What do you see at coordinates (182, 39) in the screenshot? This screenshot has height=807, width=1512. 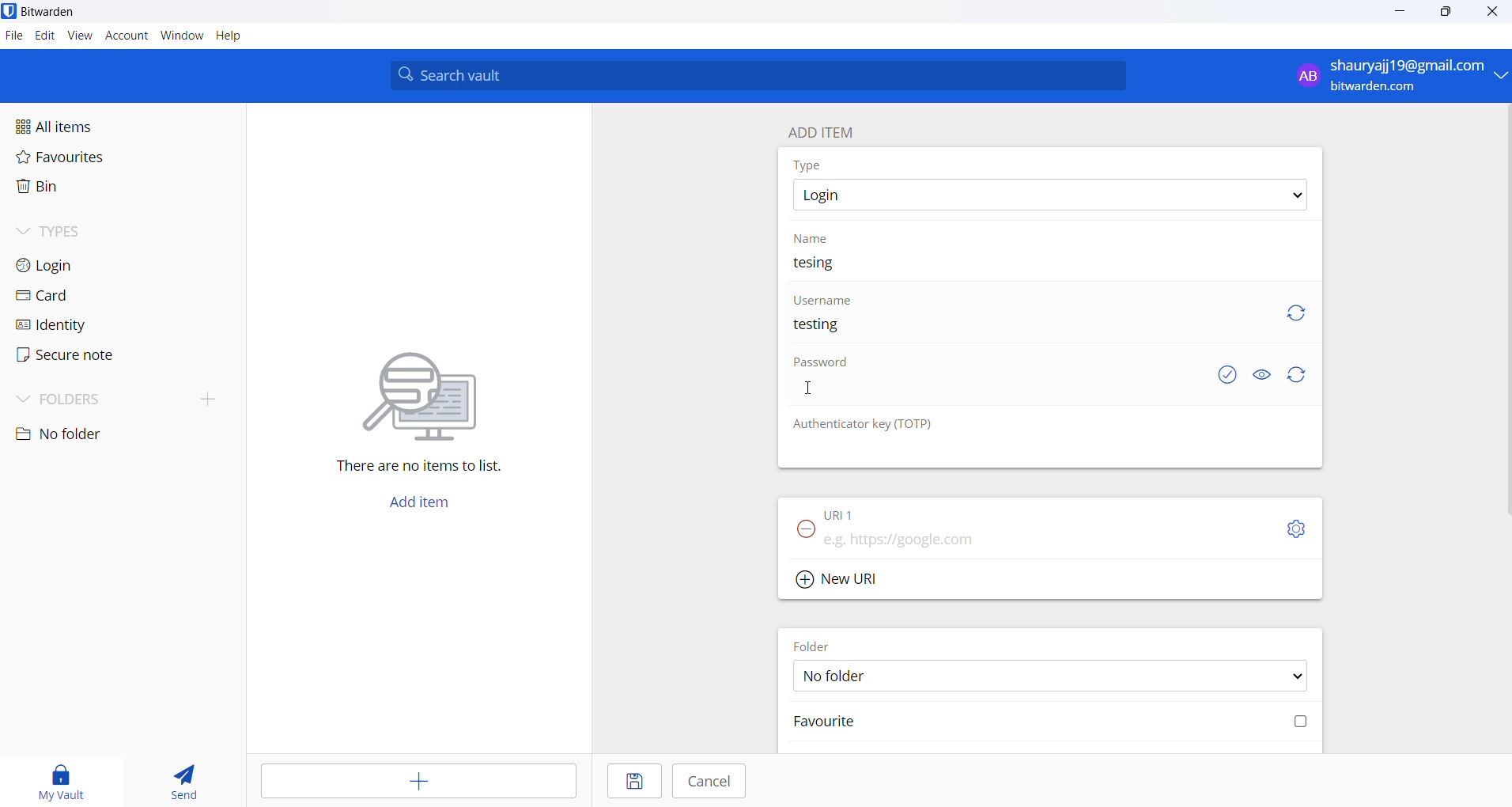 I see `Window` at bounding box center [182, 39].